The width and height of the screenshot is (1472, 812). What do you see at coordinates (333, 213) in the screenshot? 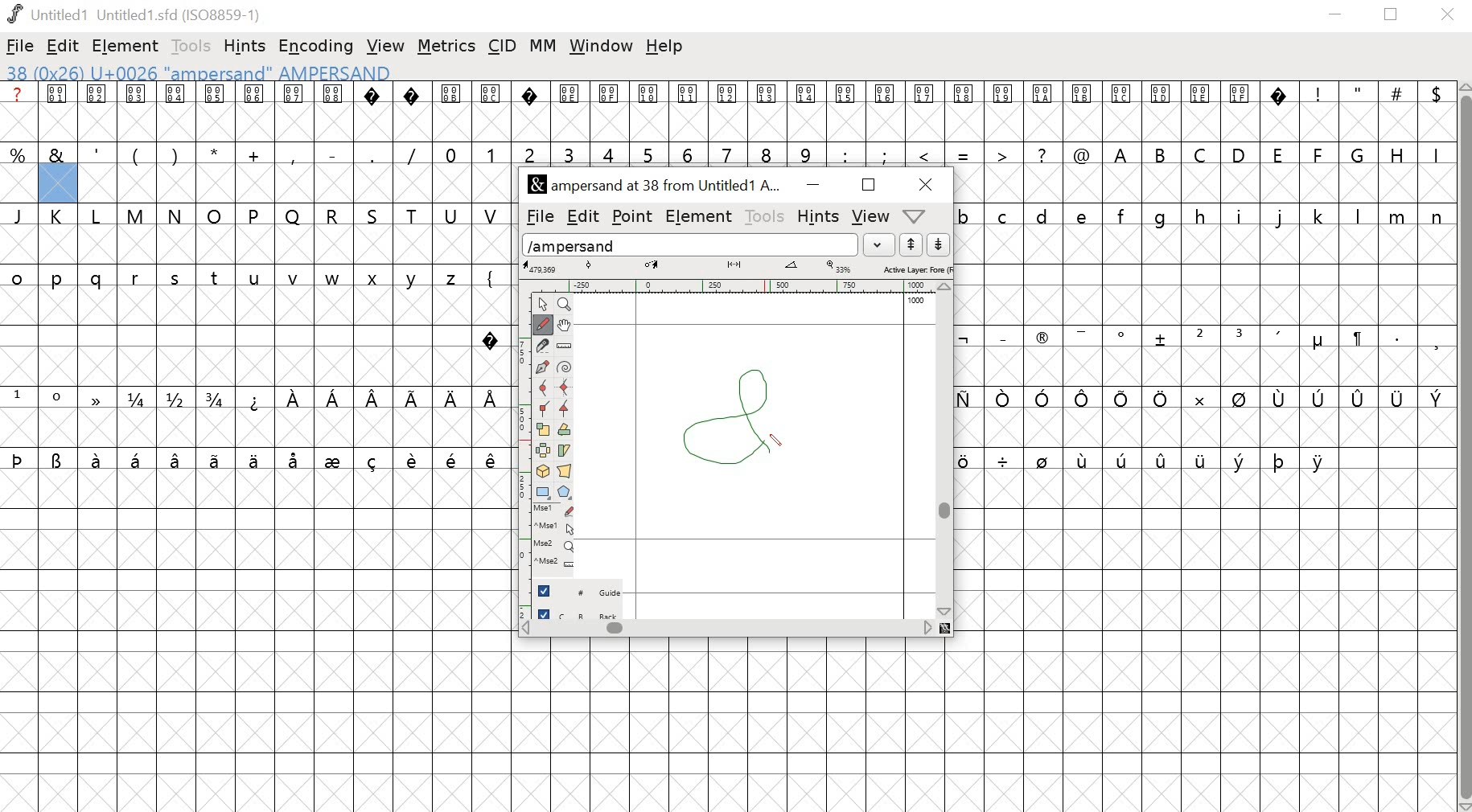
I see `R` at bounding box center [333, 213].